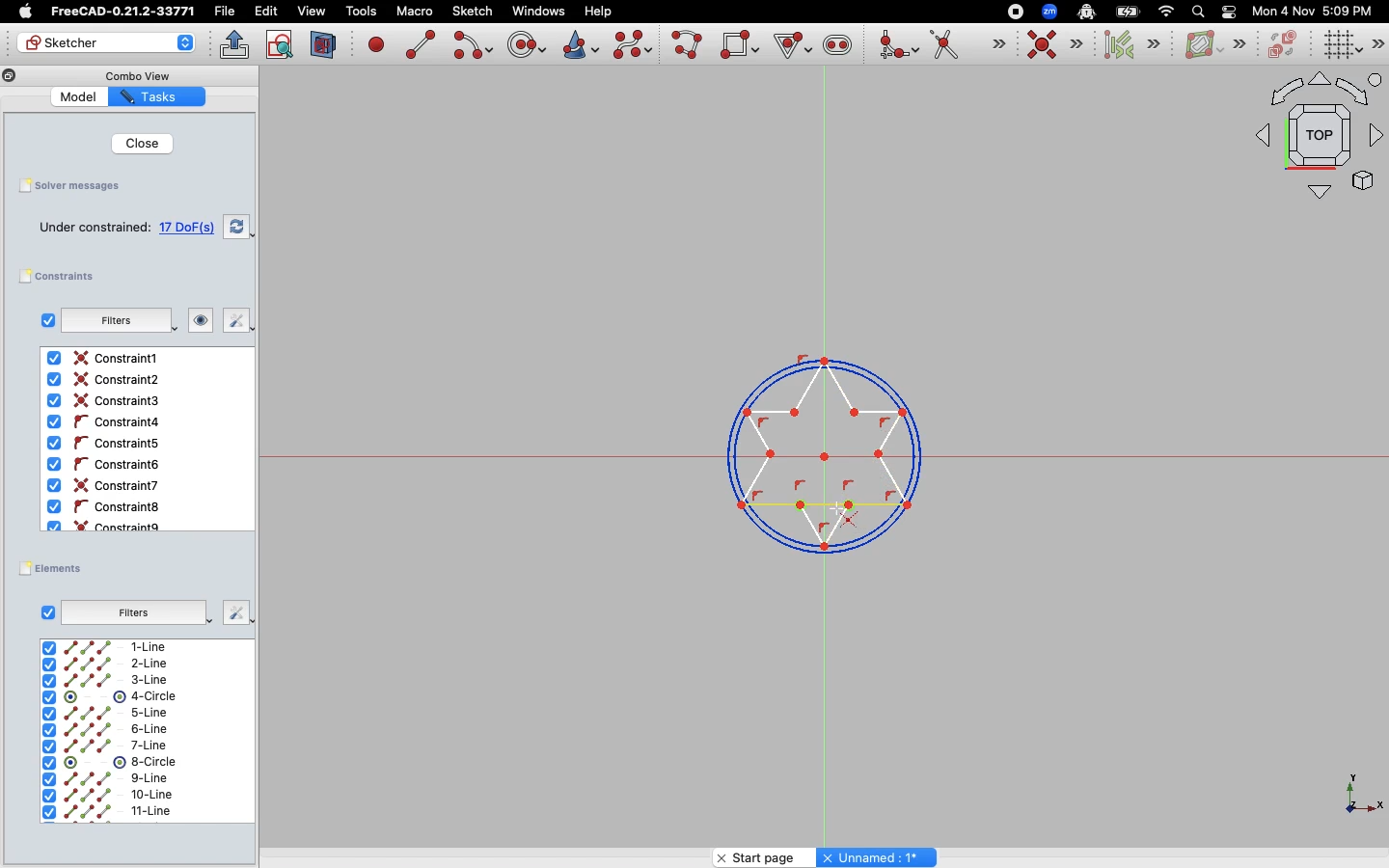 The width and height of the screenshot is (1389, 868). I want to click on View section, so click(324, 44).